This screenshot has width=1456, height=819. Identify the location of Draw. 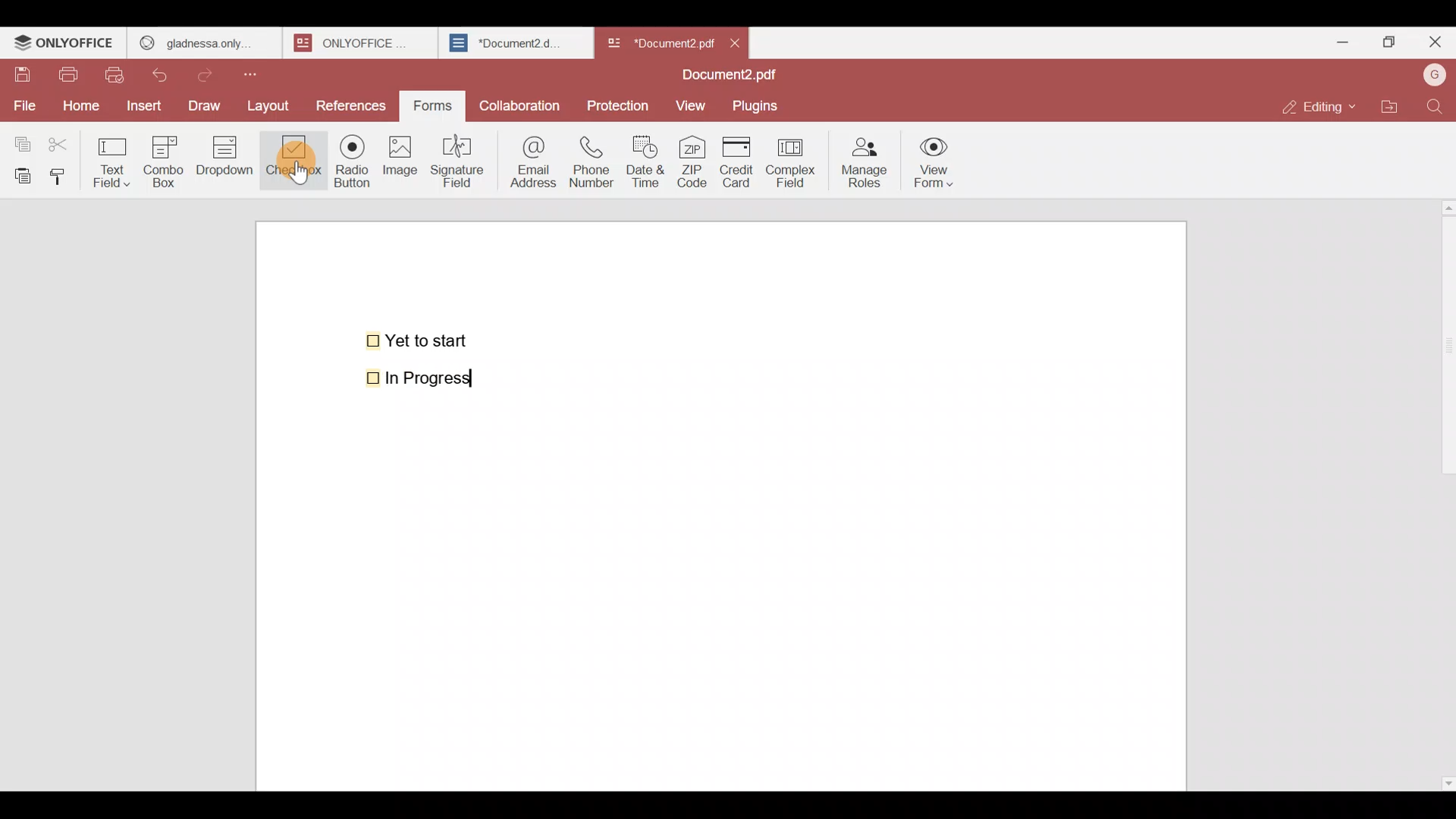
(209, 104).